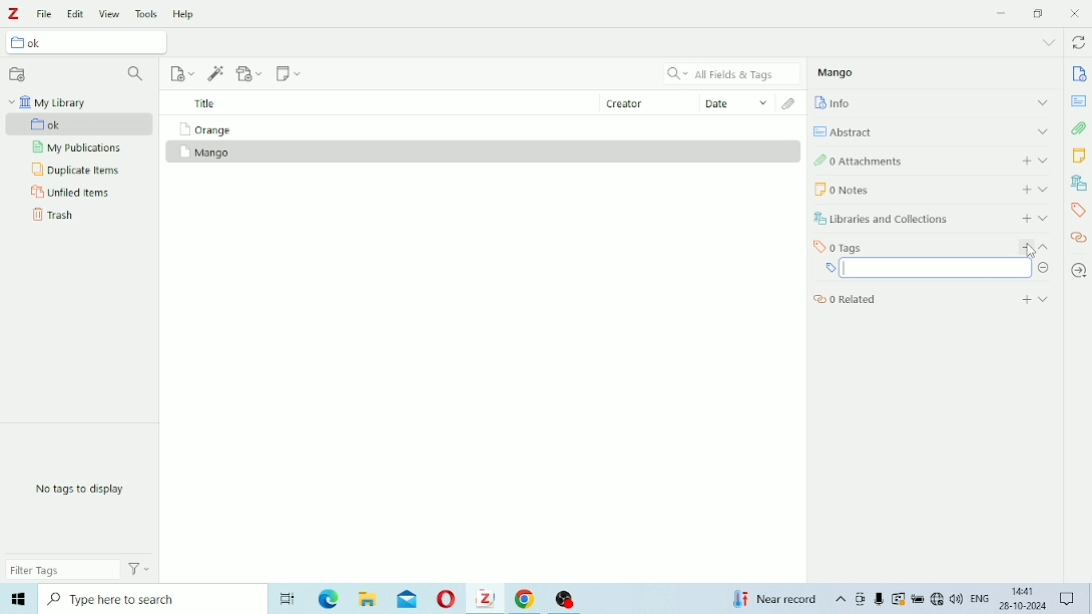  Describe the element at coordinates (1078, 183) in the screenshot. I see `Libraries and Collections` at that location.